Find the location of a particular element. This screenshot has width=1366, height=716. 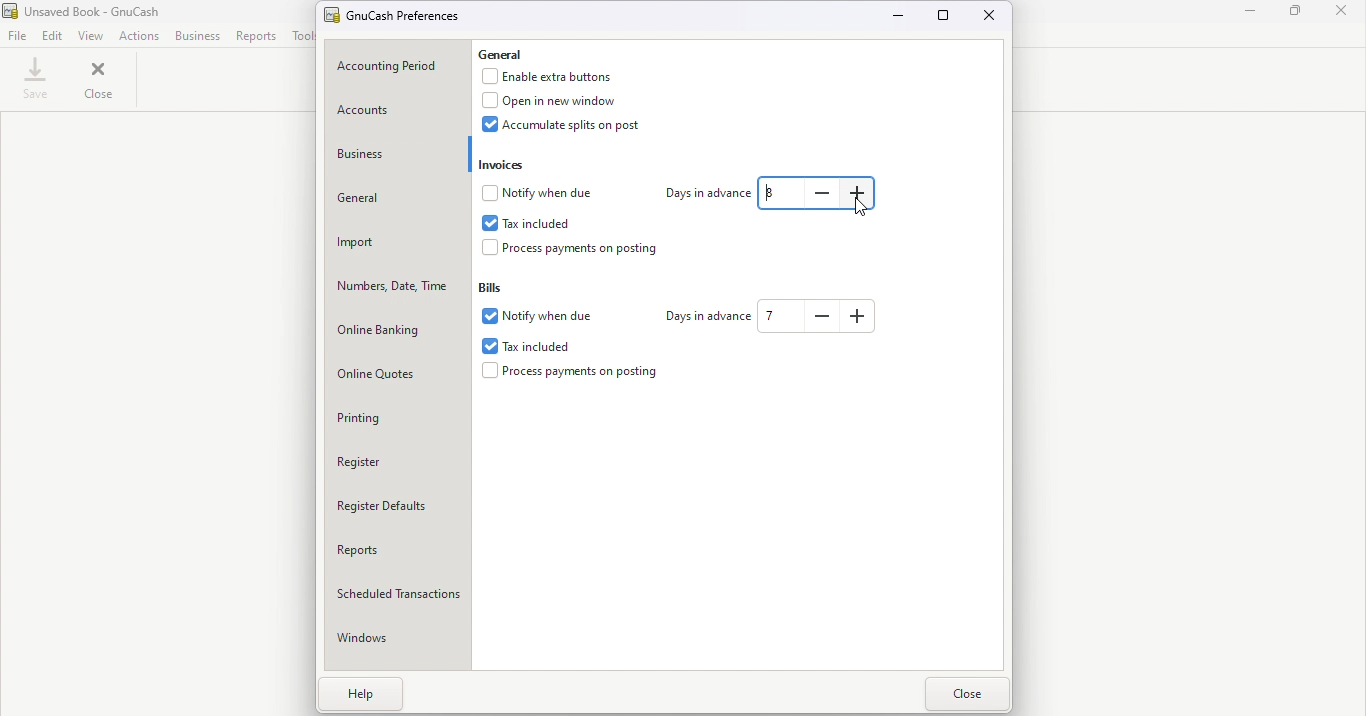

Business is located at coordinates (198, 35).